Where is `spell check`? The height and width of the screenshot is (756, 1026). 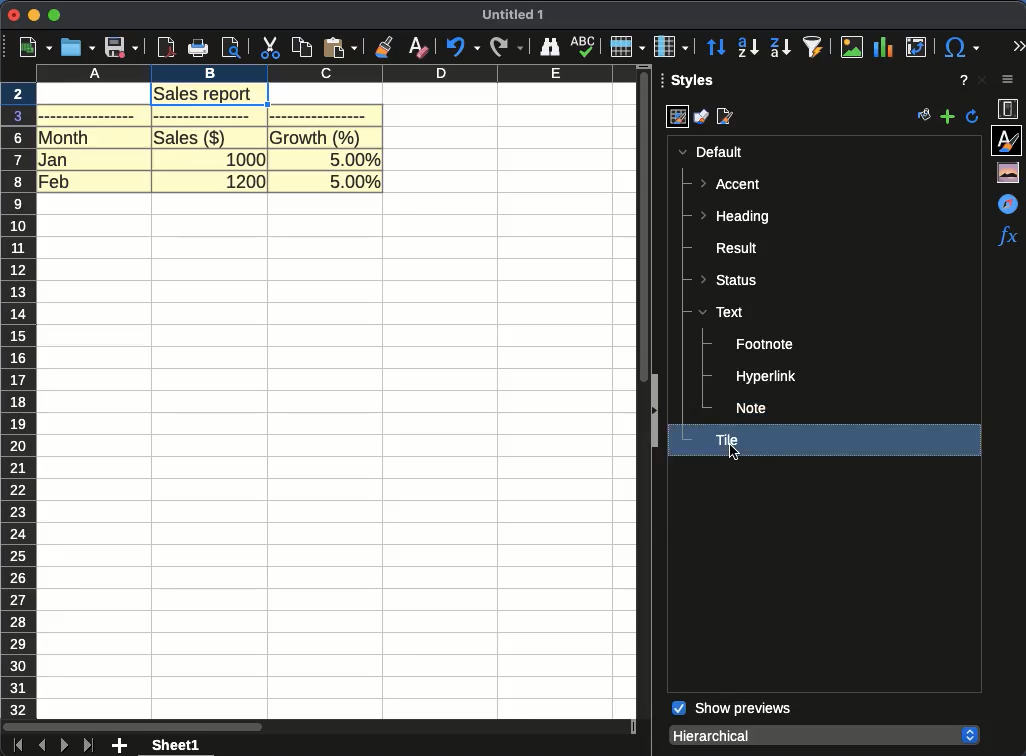 spell check is located at coordinates (582, 46).